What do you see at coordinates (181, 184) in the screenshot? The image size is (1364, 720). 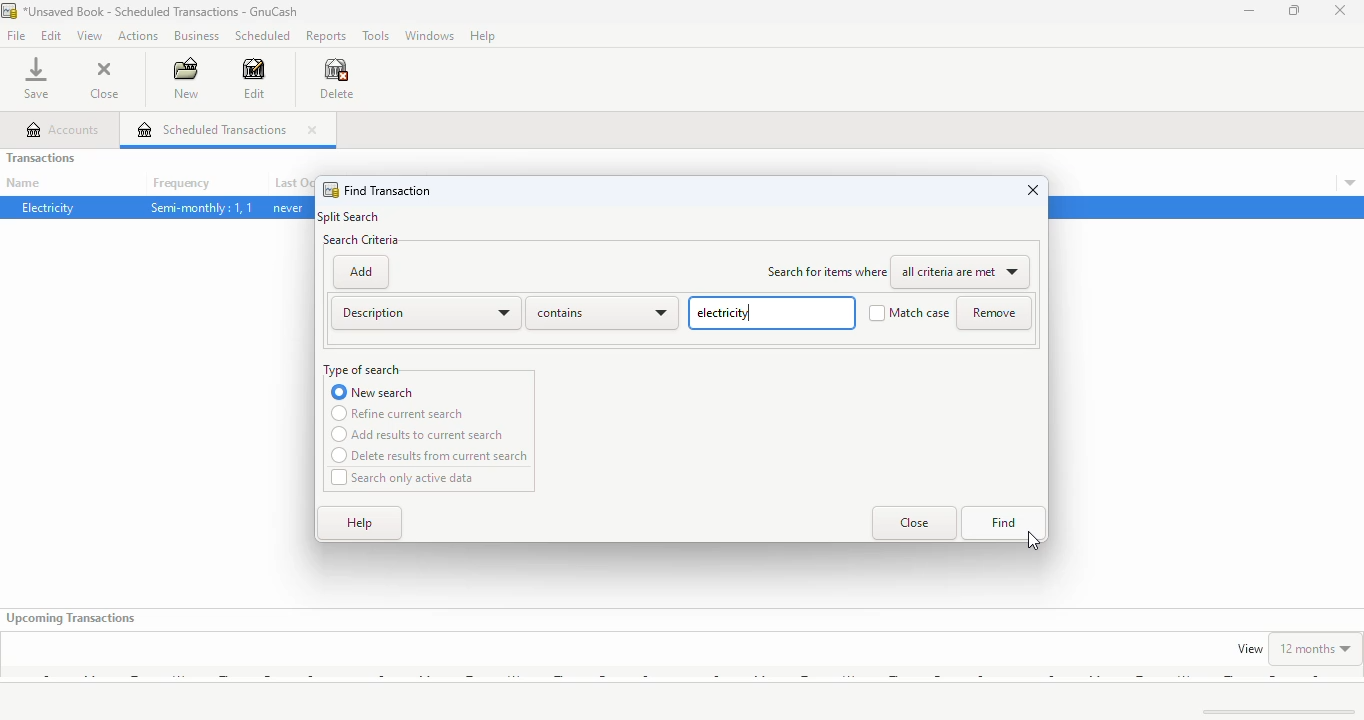 I see `frequency` at bounding box center [181, 184].